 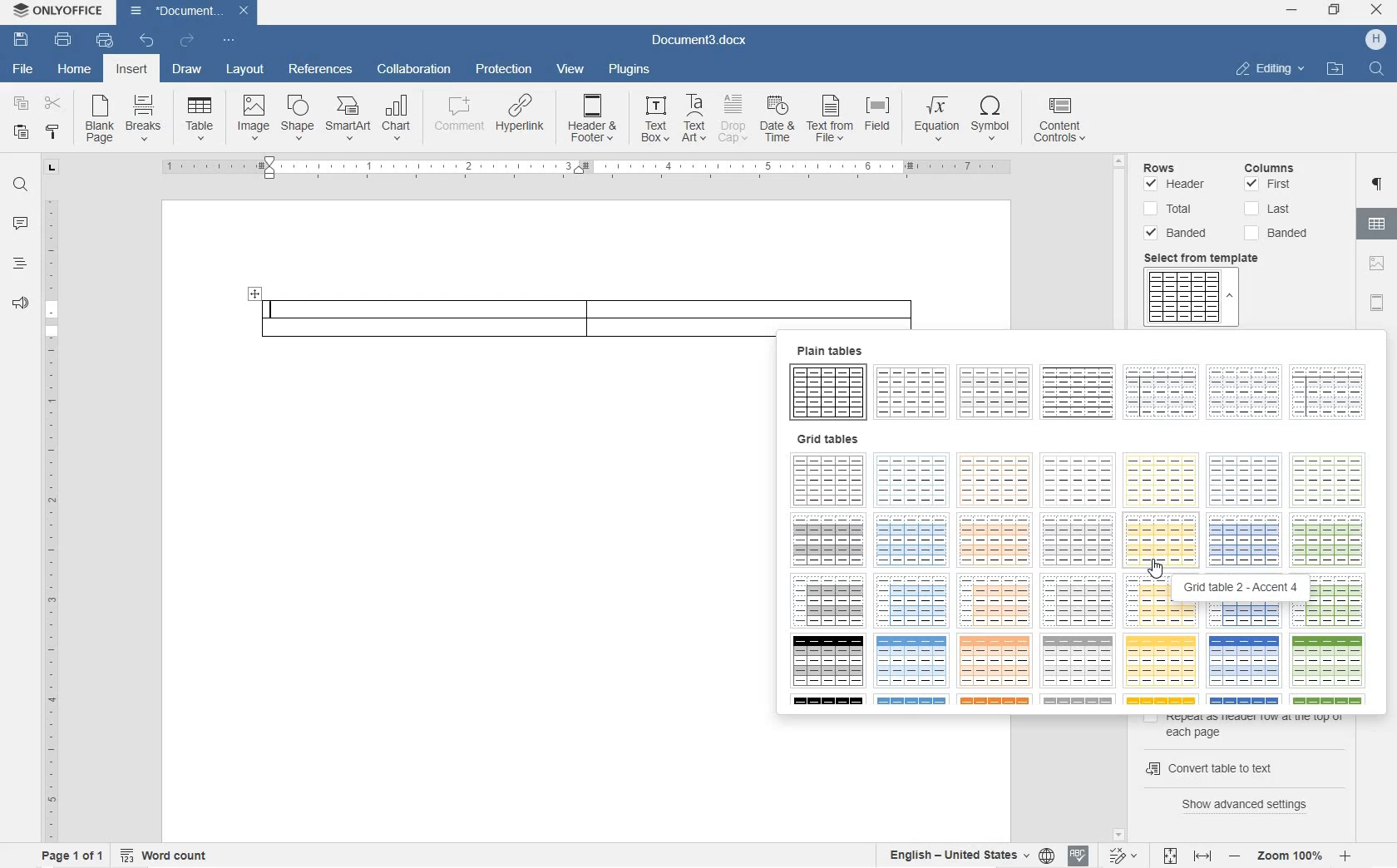 What do you see at coordinates (417, 70) in the screenshot?
I see `COLLABORATION` at bounding box center [417, 70].